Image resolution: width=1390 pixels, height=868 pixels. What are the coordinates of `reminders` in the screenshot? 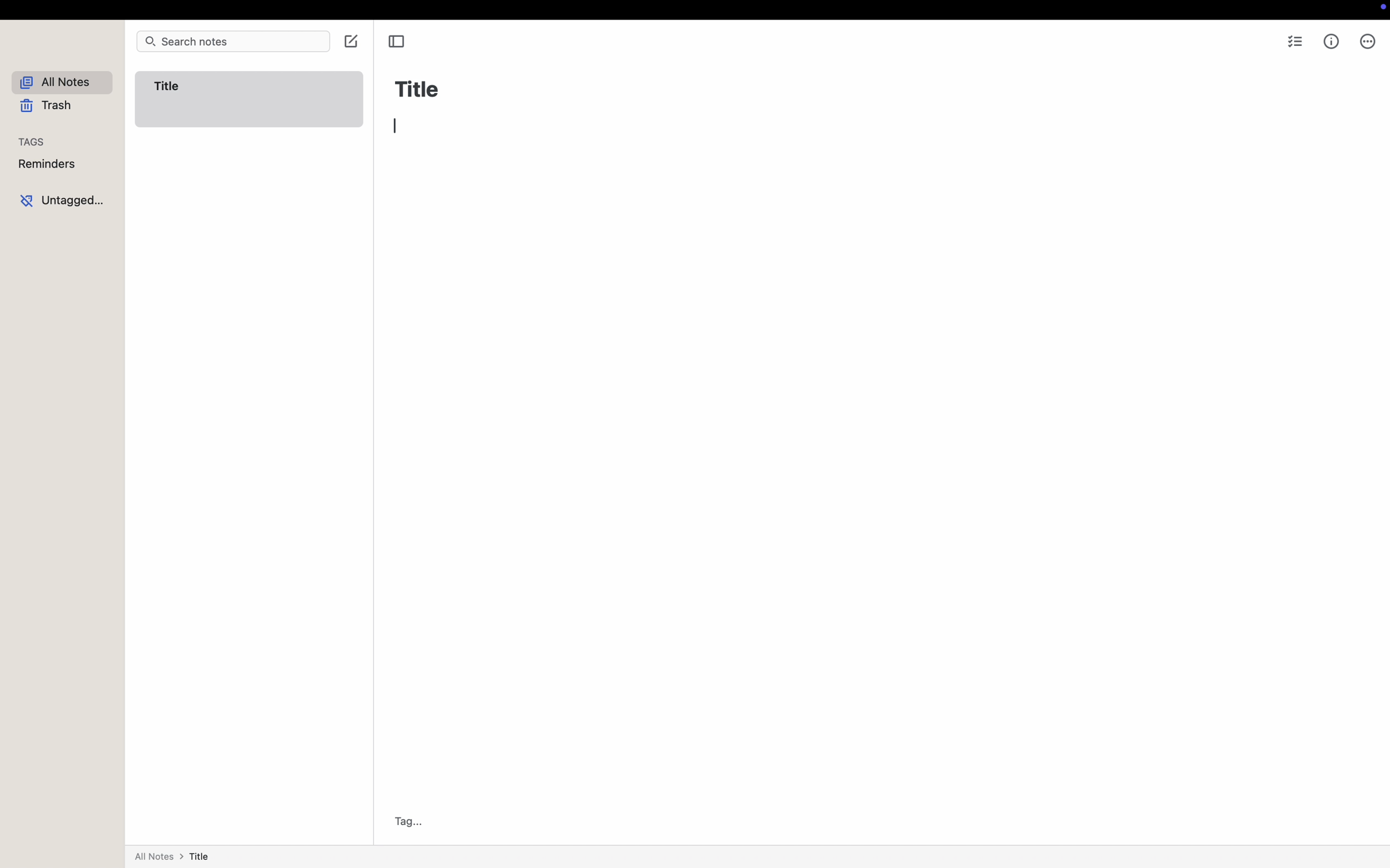 It's located at (61, 165).